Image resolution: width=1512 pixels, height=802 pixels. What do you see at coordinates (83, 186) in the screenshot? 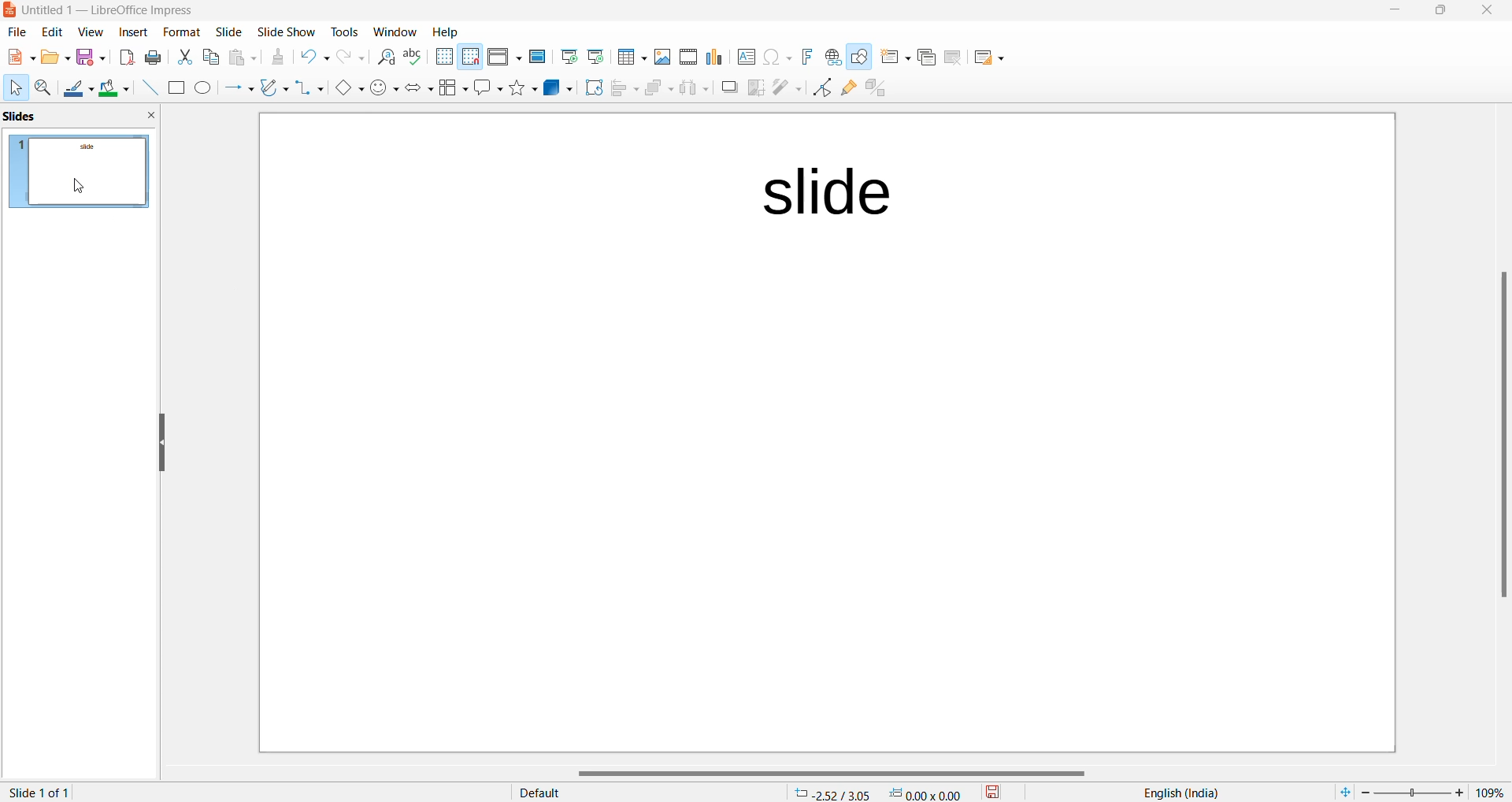
I see `cursor` at bounding box center [83, 186].